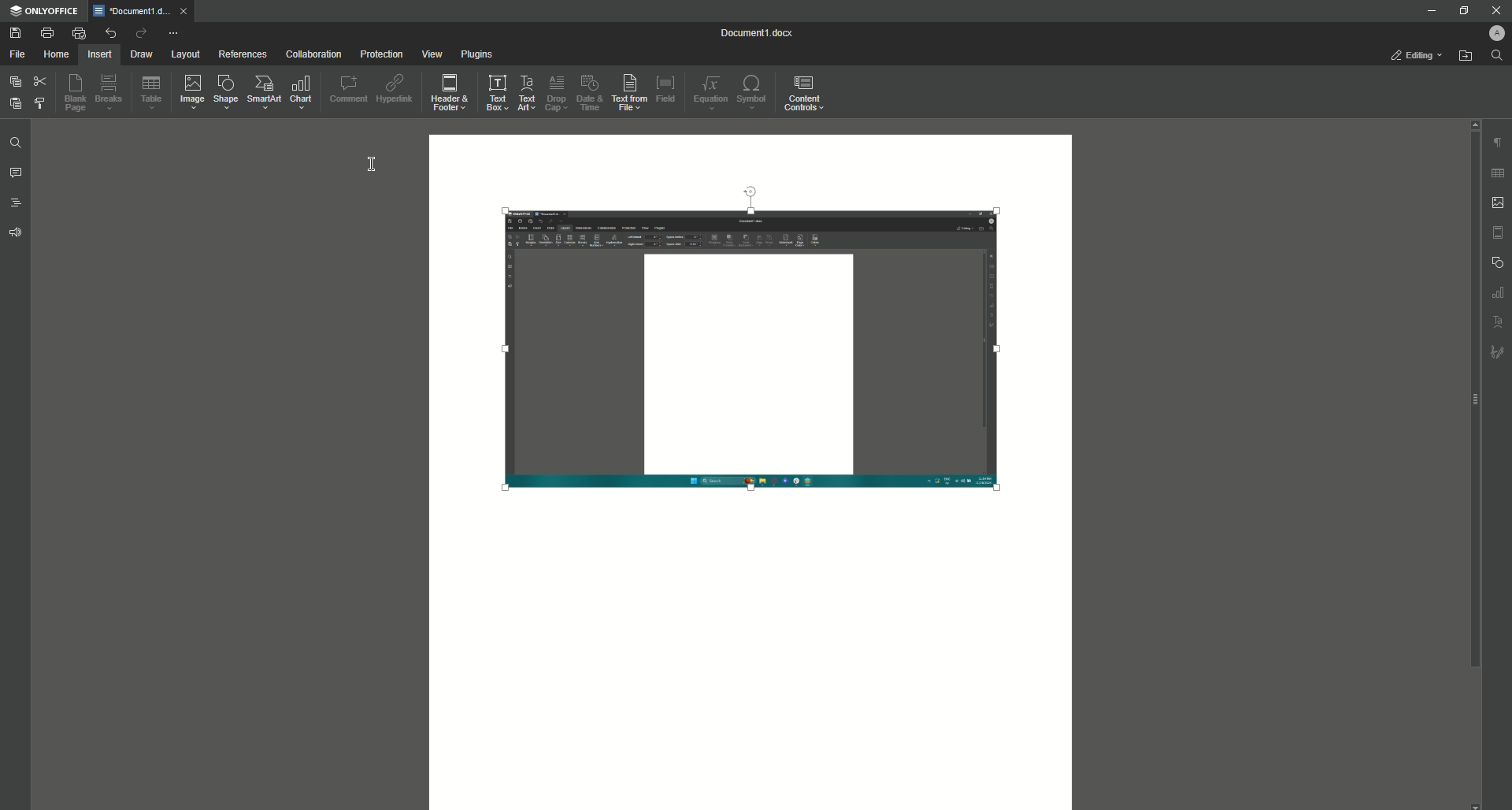 This screenshot has width=1512, height=810. I want to click on Shape Settings, so click(1498, 262).